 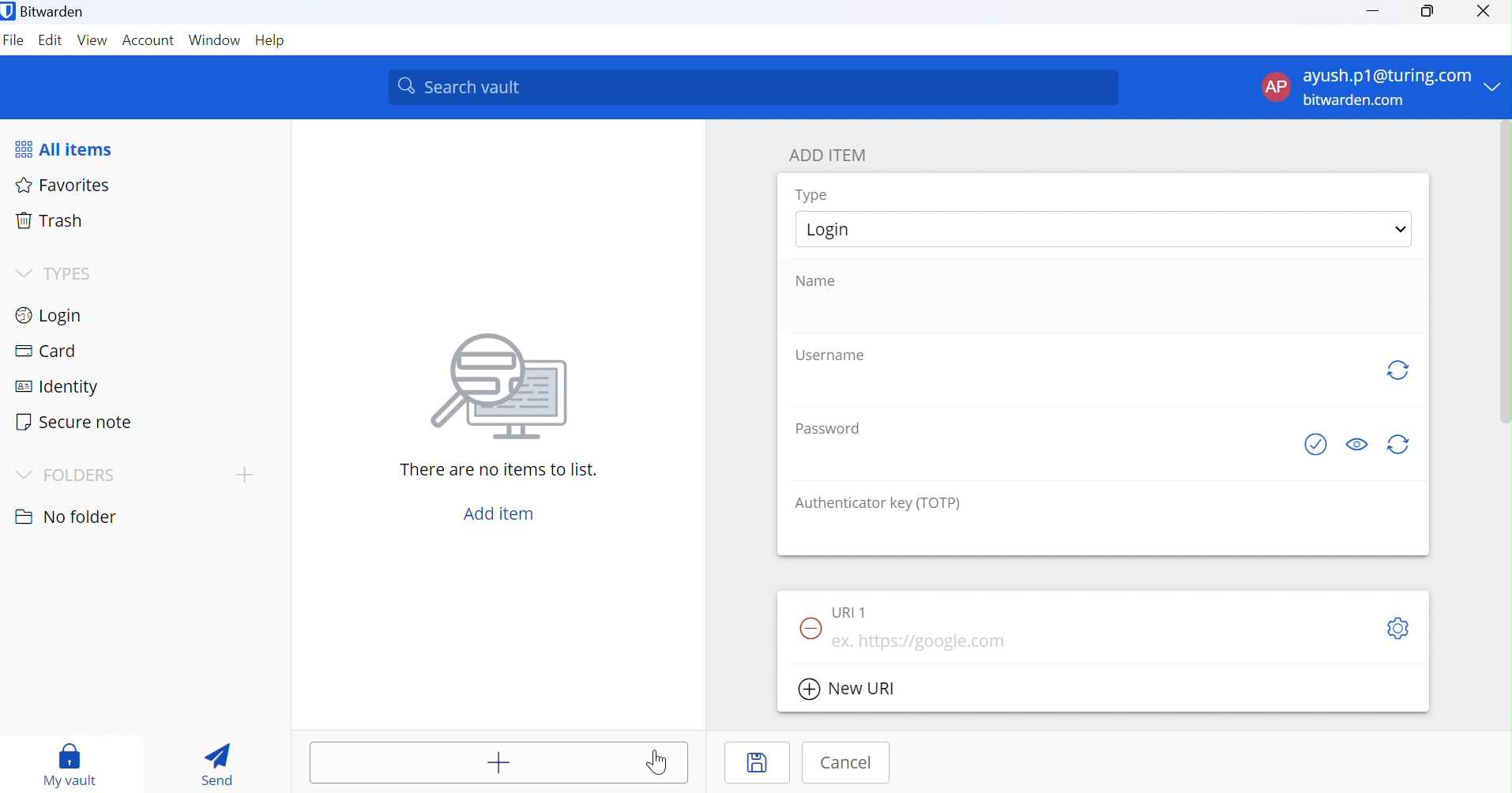 I want to click on File, so click(x=14, y=43).